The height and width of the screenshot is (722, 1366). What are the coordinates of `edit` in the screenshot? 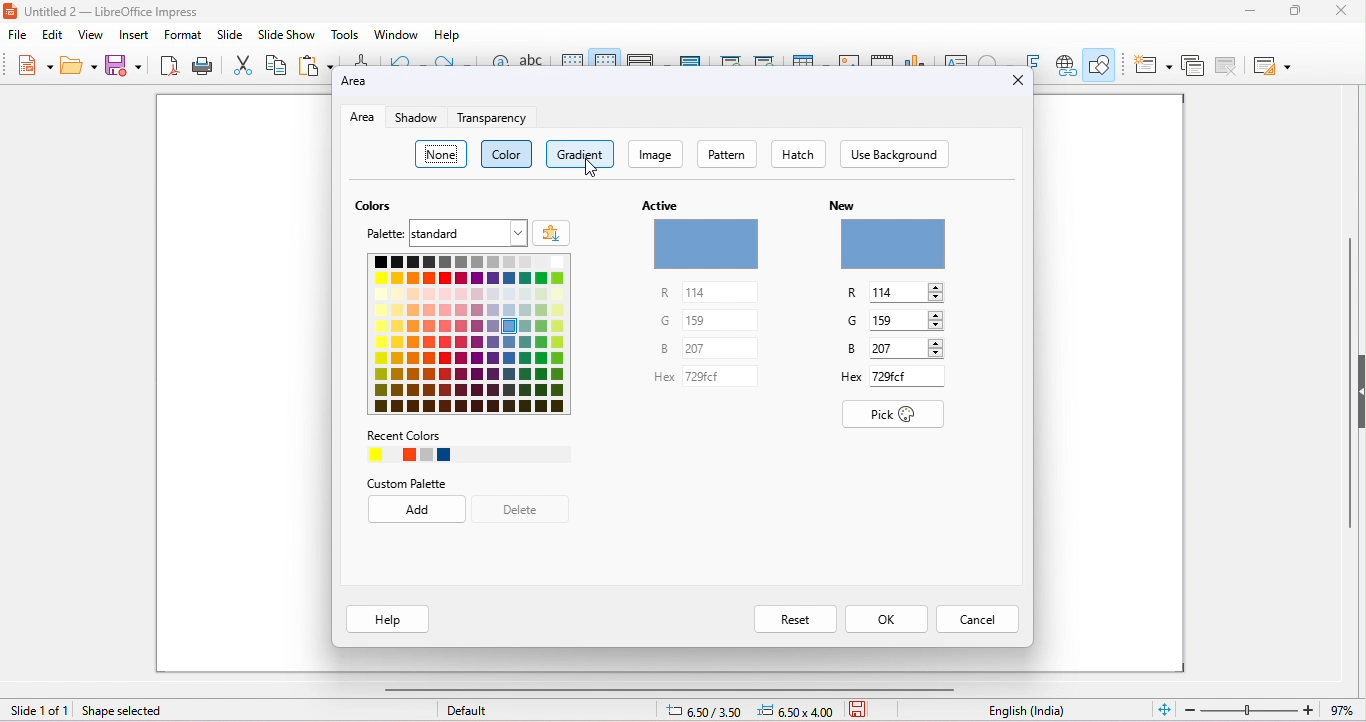 It's located at (52, 36).